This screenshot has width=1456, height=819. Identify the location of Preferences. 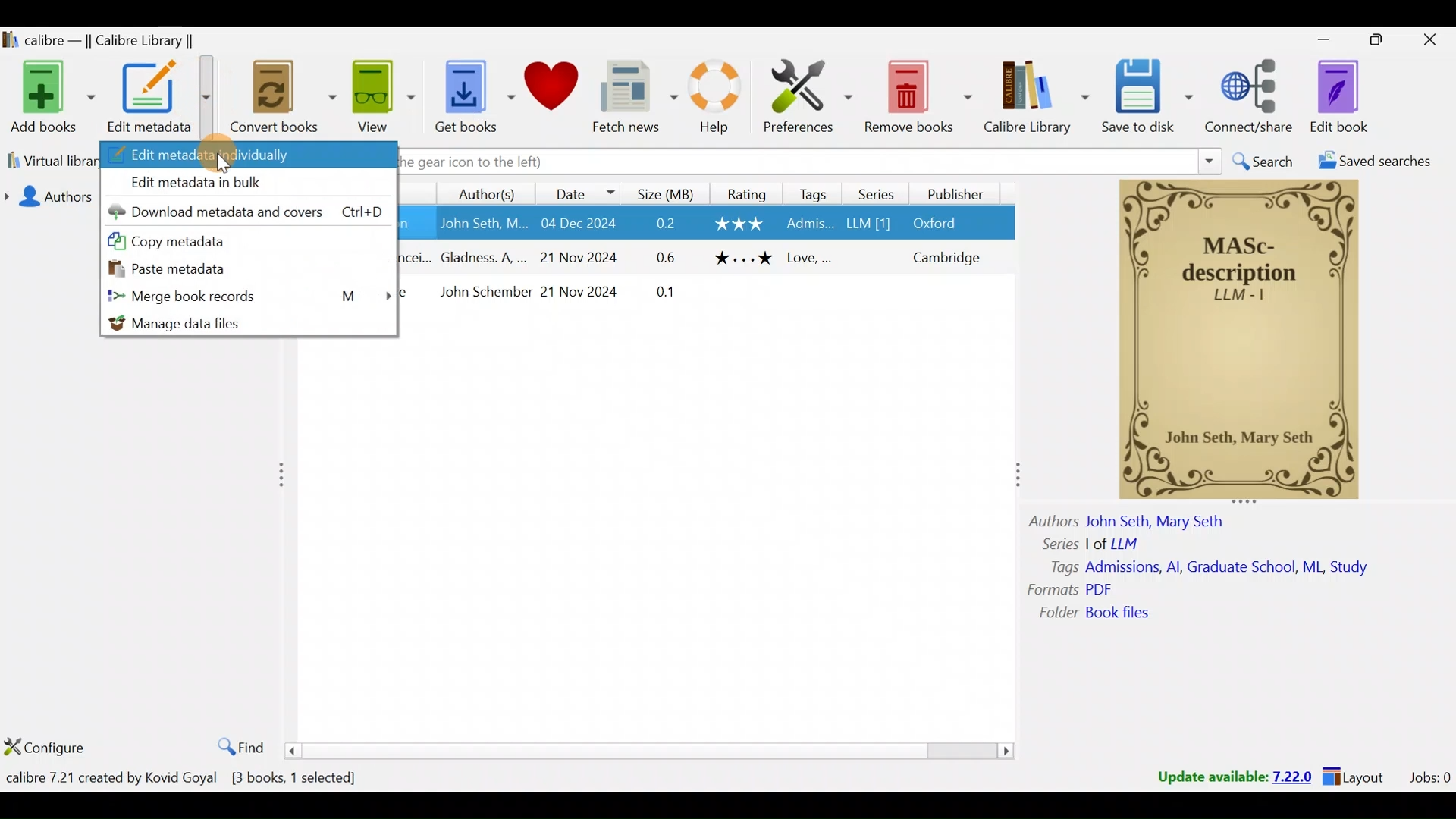
(808, 96).